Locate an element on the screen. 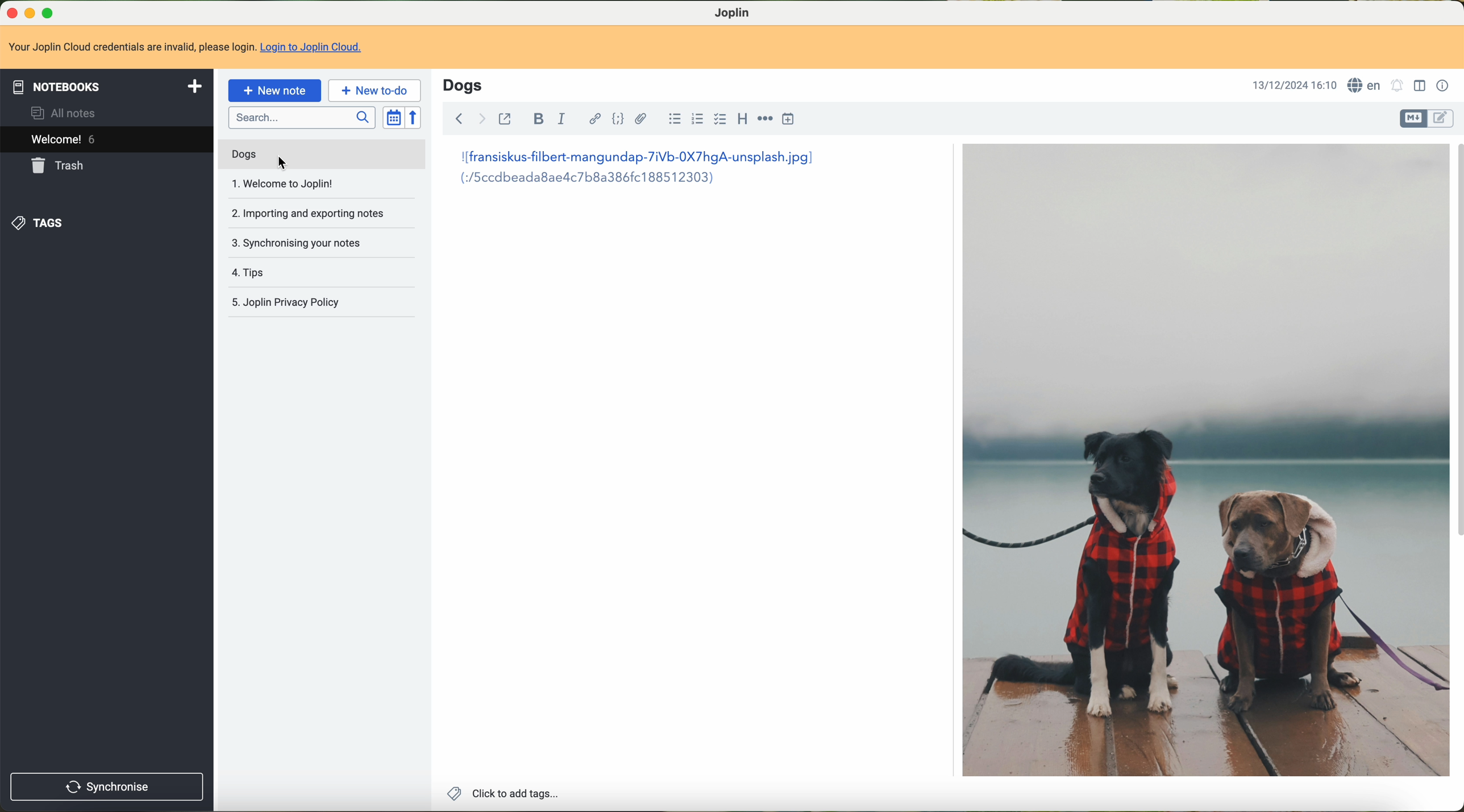  all notes is located at coordinates (65, 113).